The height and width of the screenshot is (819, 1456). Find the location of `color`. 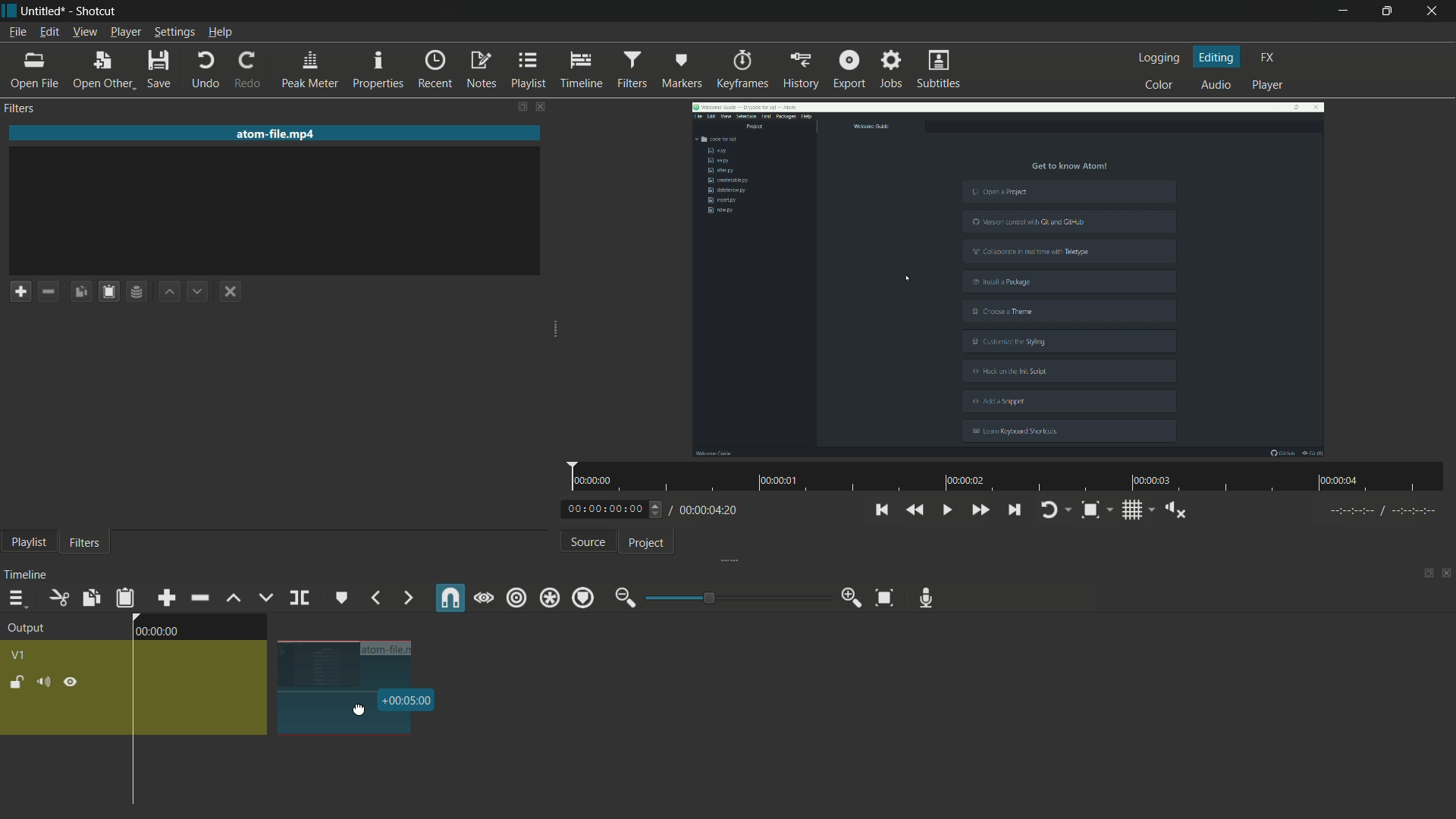

color is located at coordinates (1155, 86).